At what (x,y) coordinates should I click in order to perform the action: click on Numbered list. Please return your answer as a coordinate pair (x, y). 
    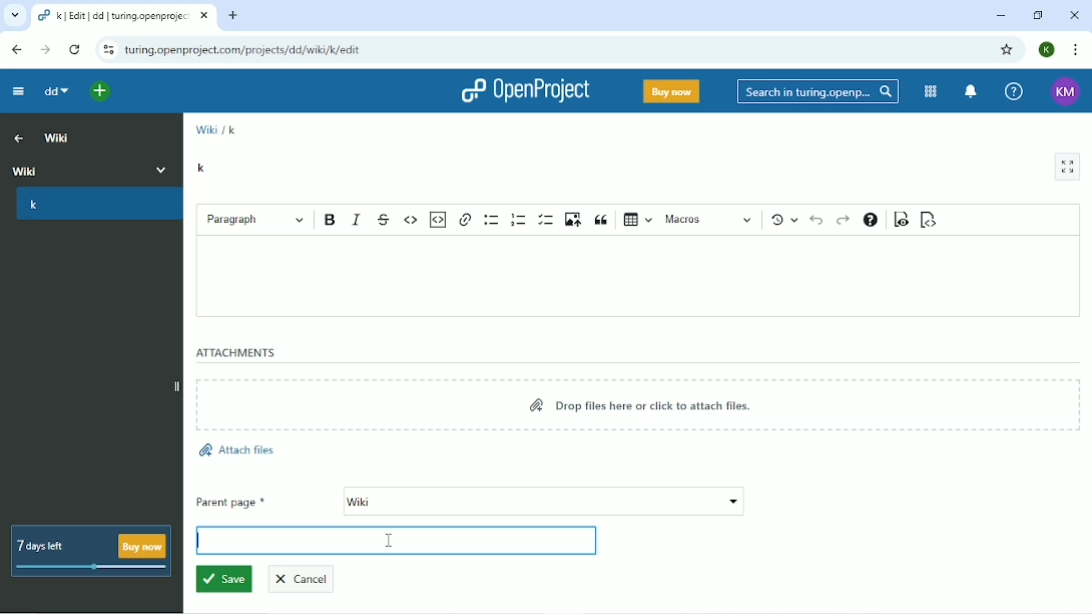
    Looking at the image, I should click on (519, 219).